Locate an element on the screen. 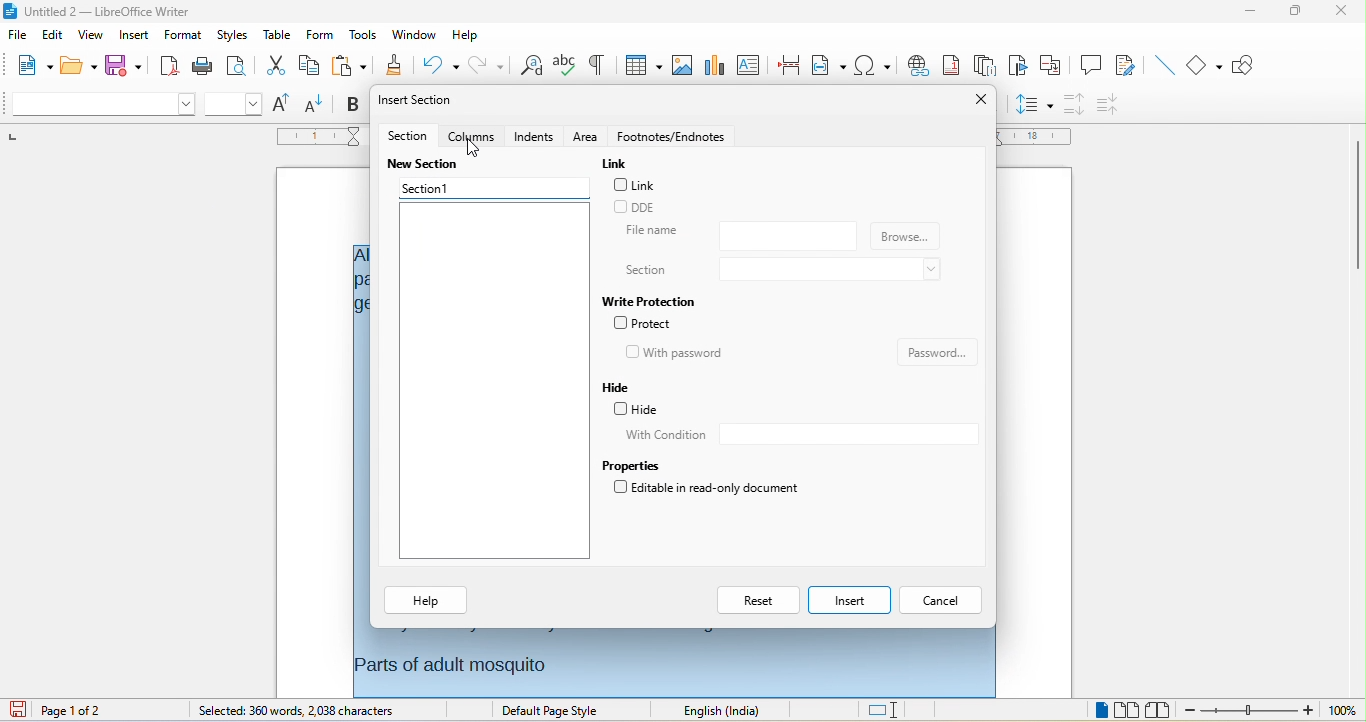 The image size is (1366, 722). file name is located at coordinates (739, 237).